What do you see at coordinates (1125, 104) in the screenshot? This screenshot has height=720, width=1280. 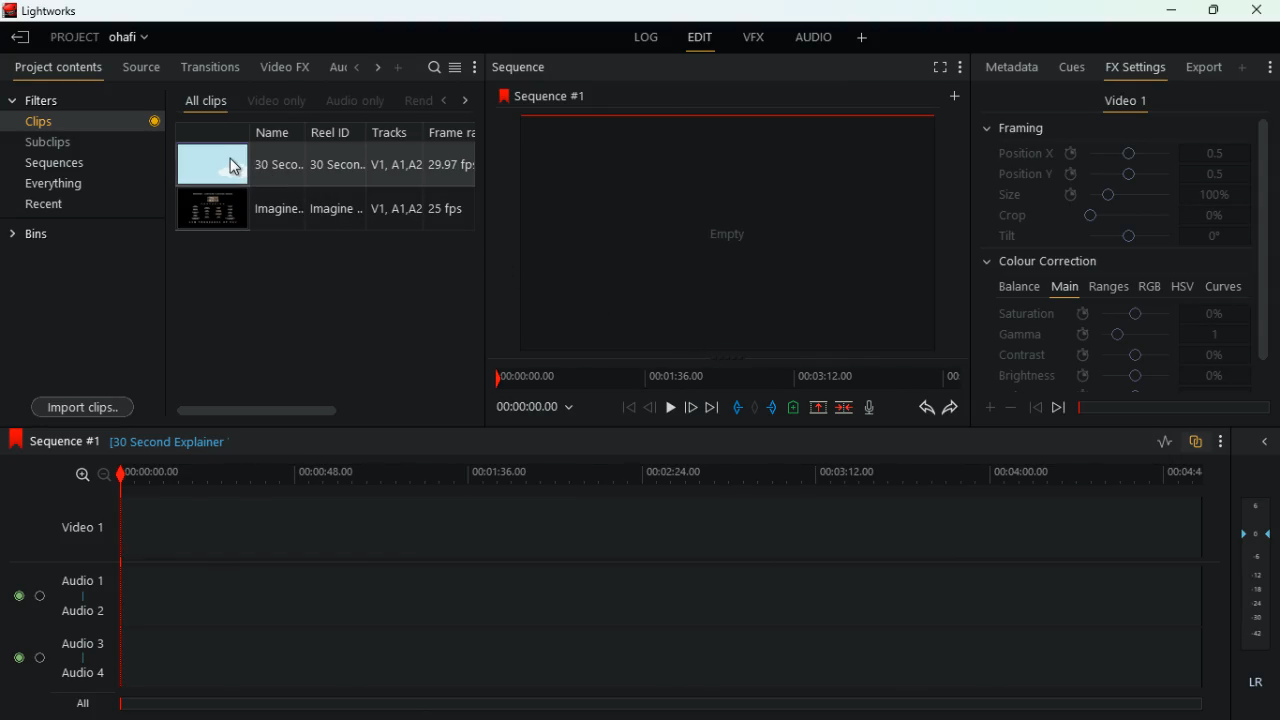 I see `video 1` at bounding box center [1125, 104].